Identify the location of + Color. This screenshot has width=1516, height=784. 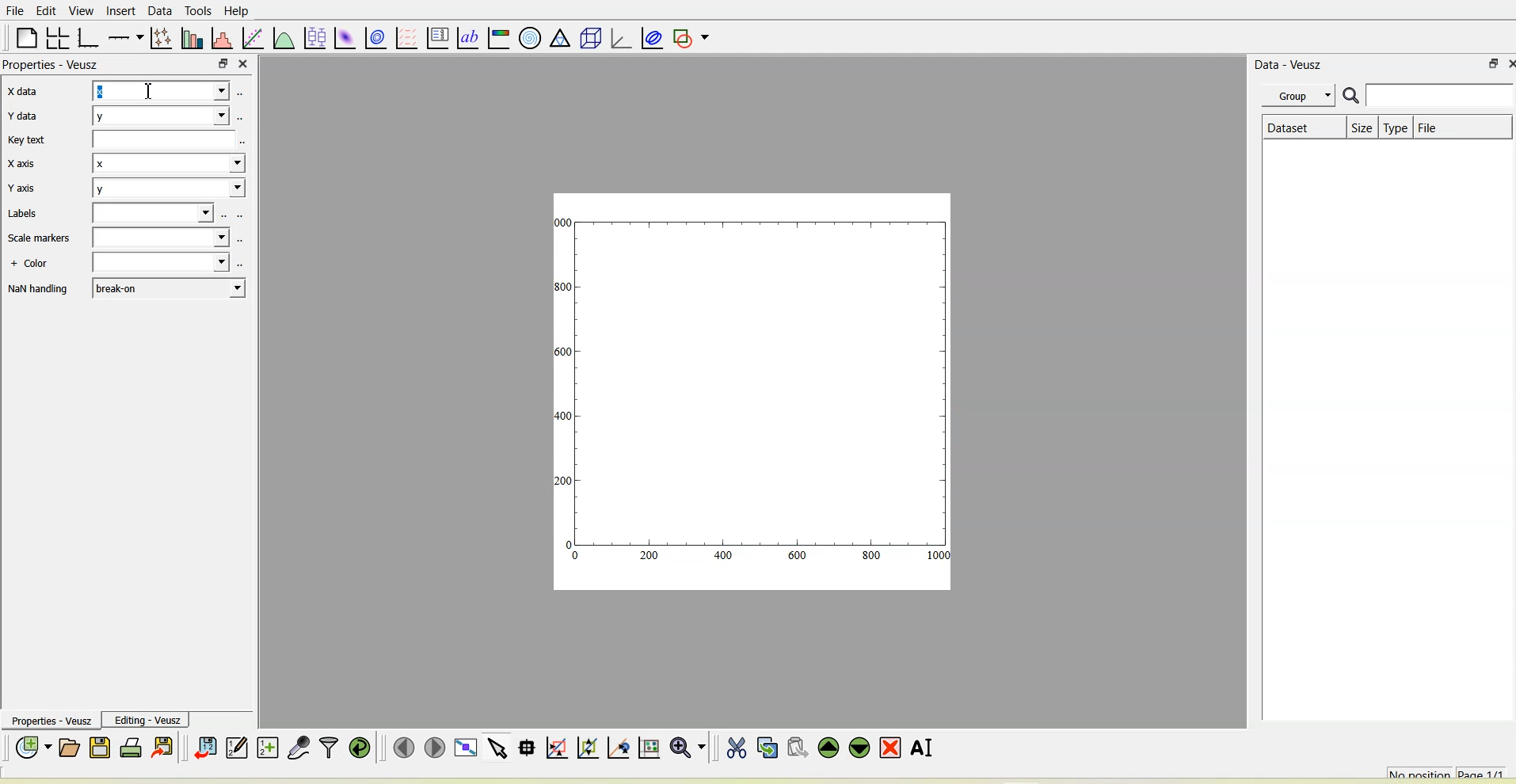
(29, 264).